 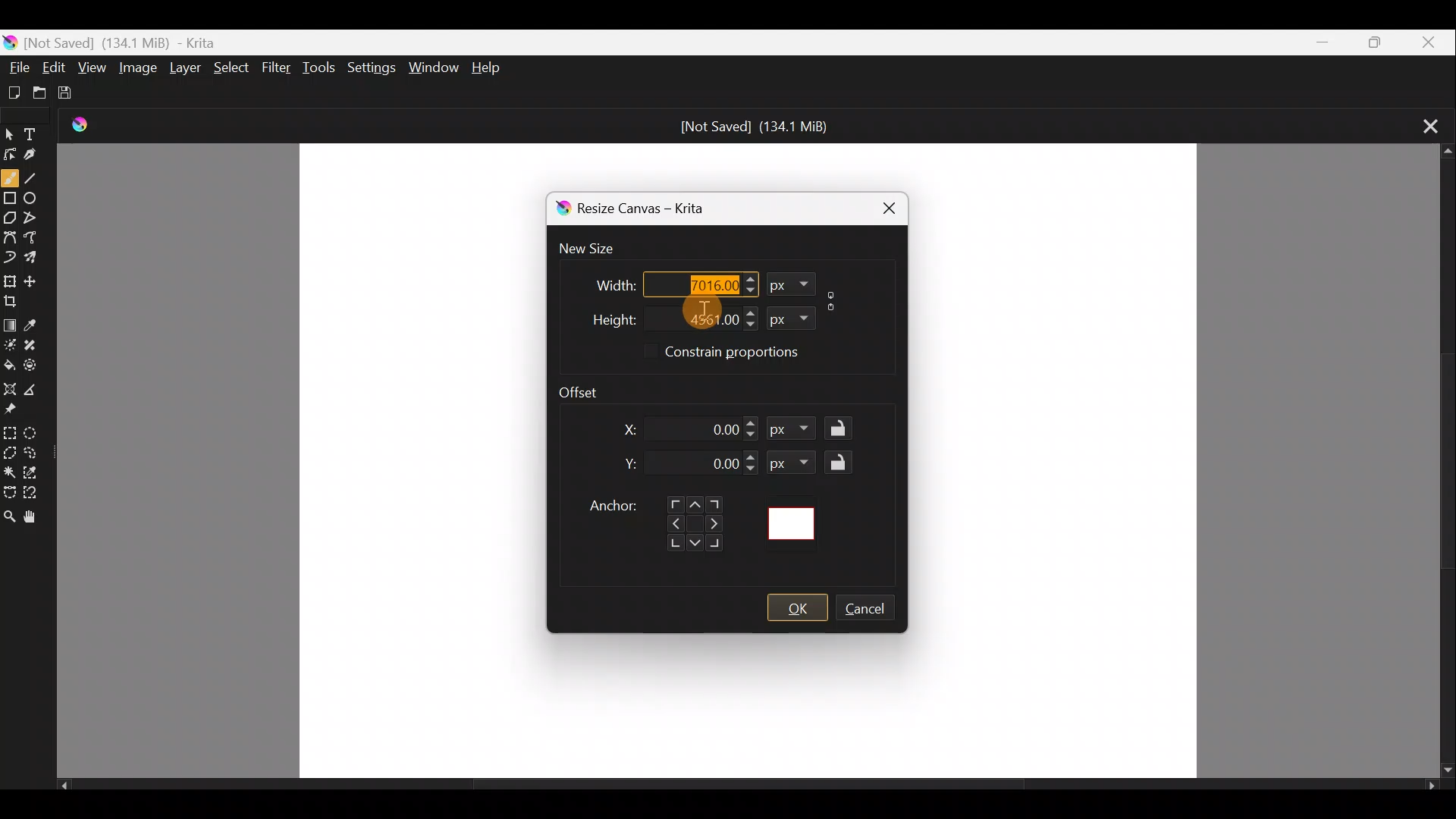 I want to click on Resize canvas - Krita, so click(x=658, y=211).